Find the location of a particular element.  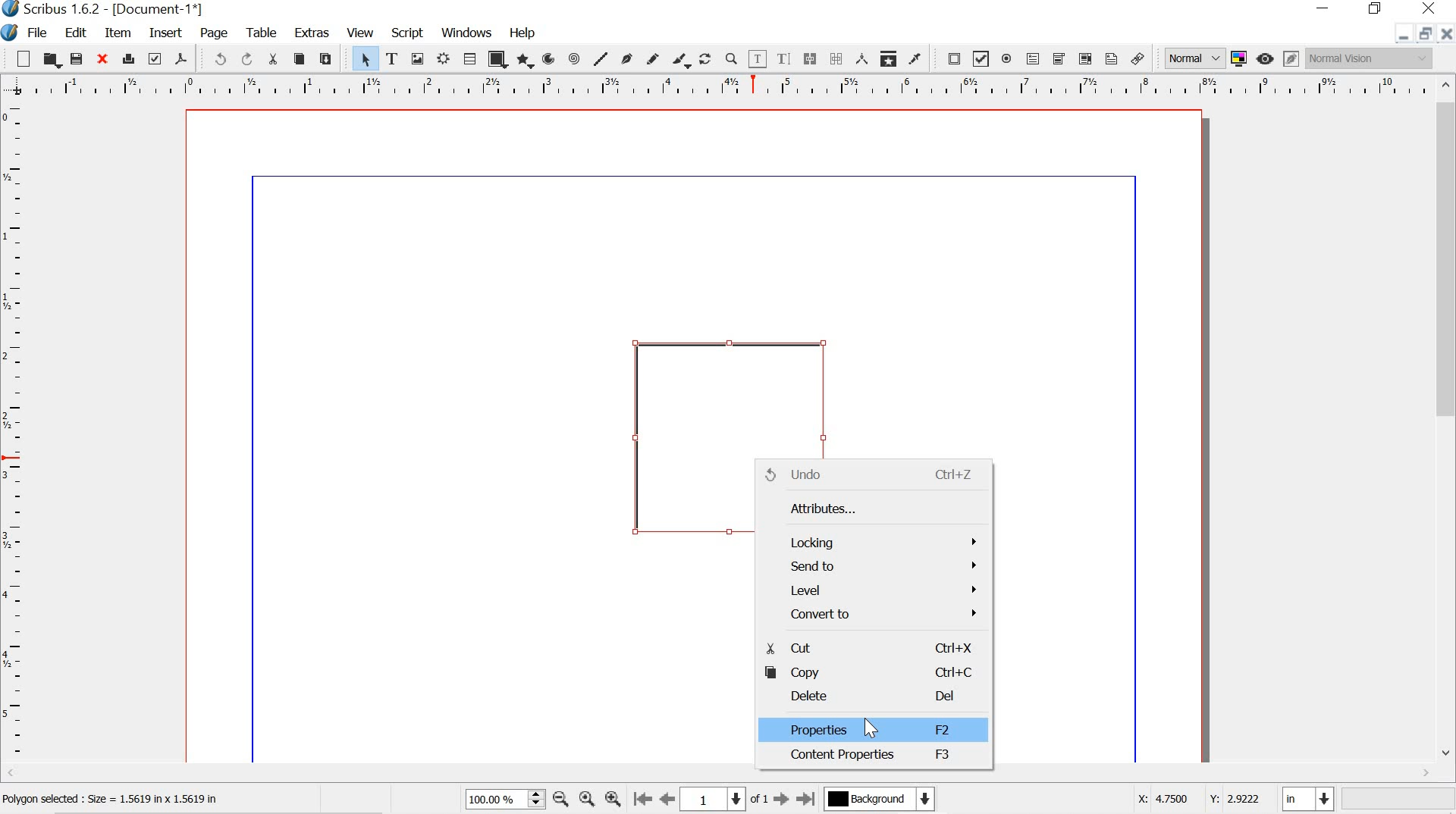

text frame is located at coordinates (392, 57).